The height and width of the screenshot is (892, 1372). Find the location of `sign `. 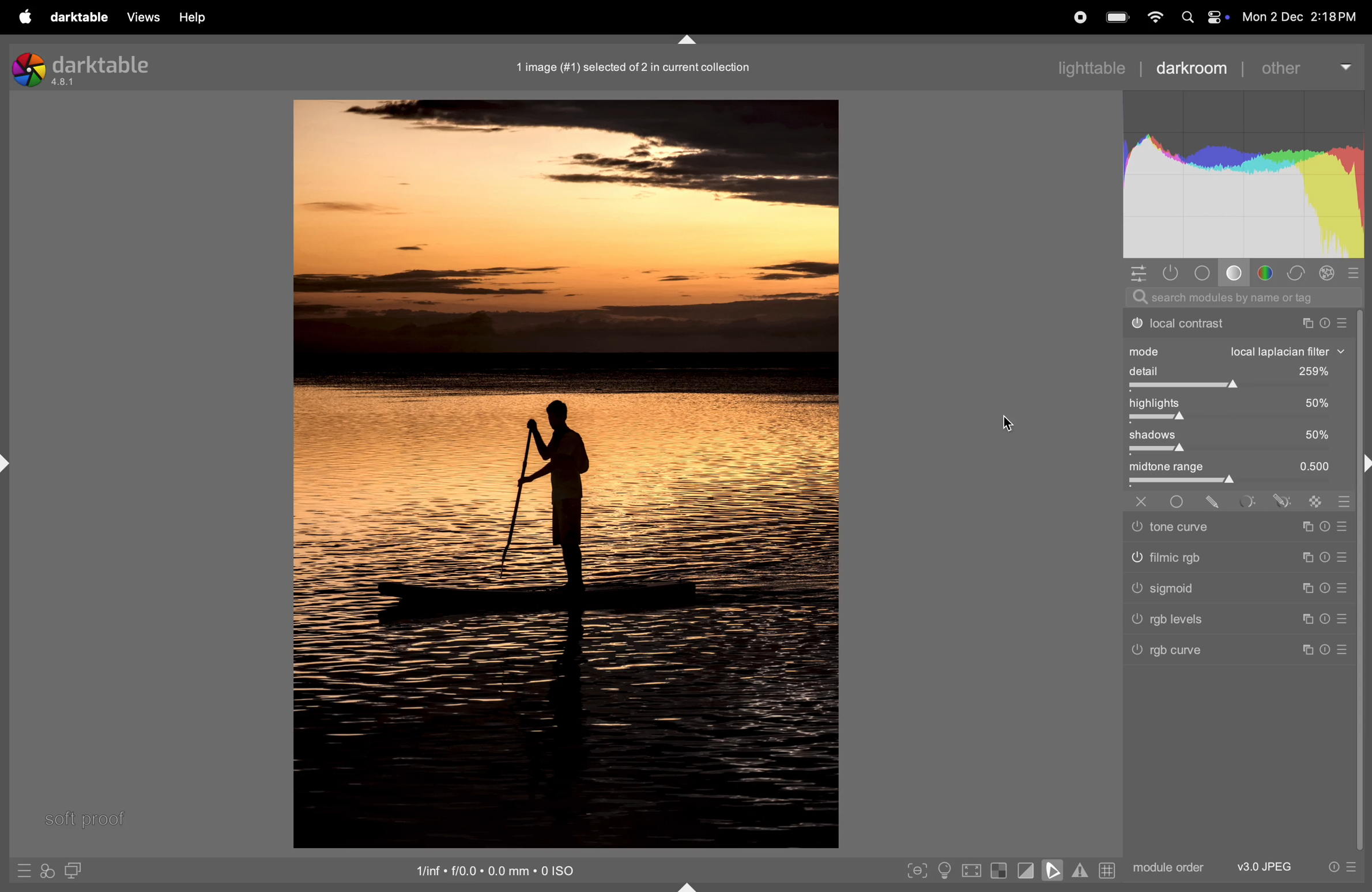

sign  is located at coordinates (1310, 531).